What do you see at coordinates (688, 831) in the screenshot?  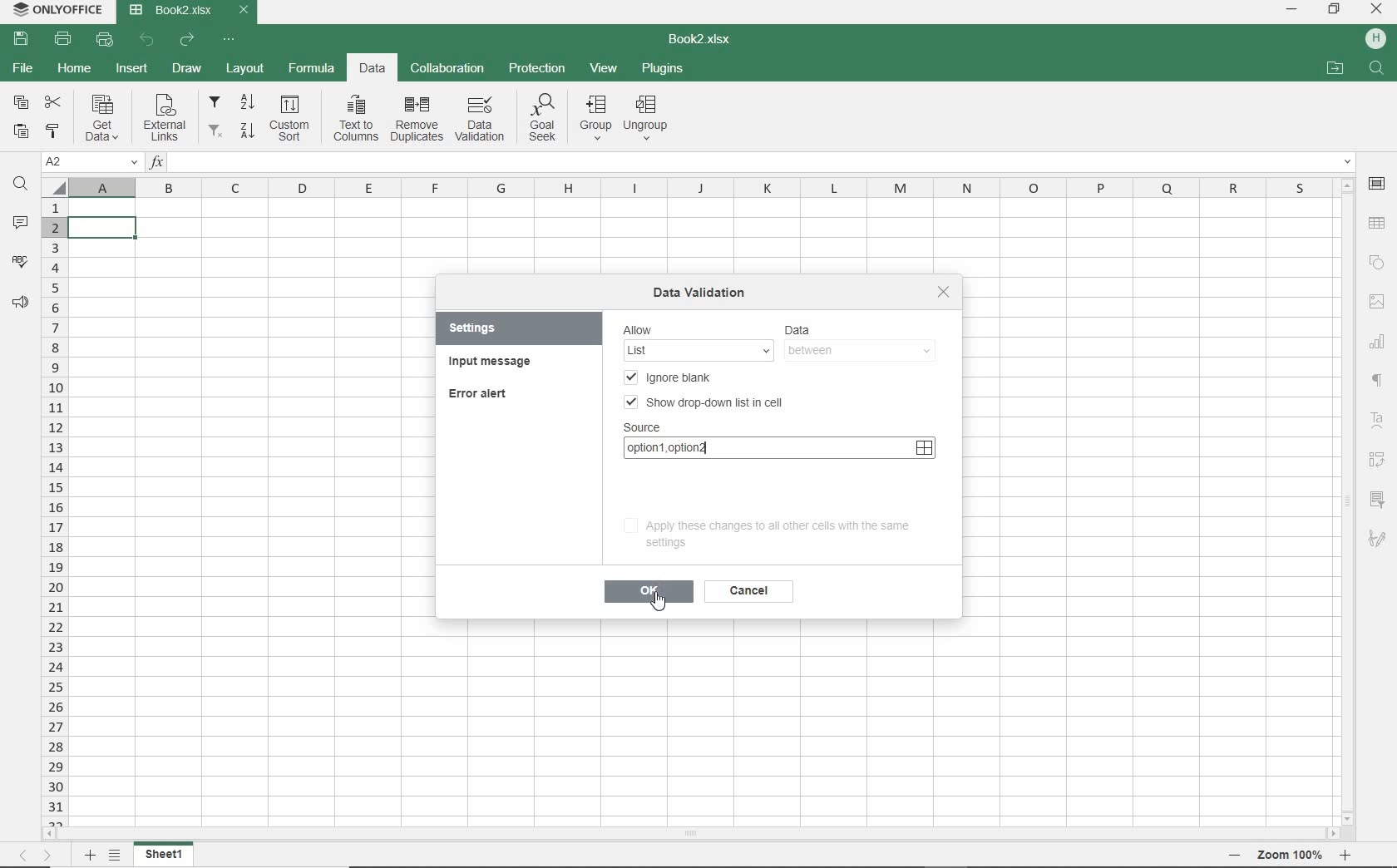 I see `SCROLLBAR` at bounding box center [688, 831].